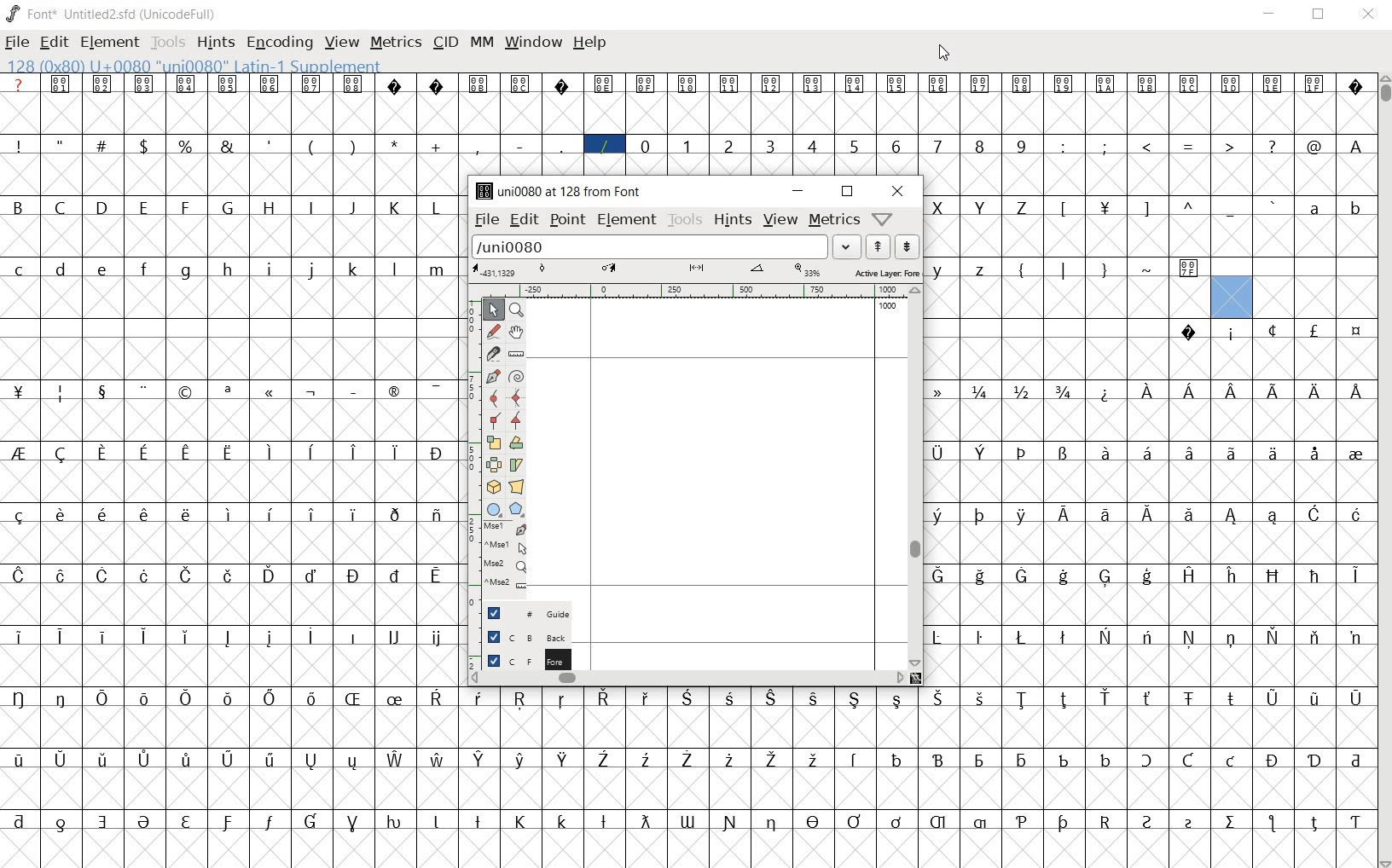 Image resolution: width=1392 pixels, height=868 pixels. What do you see at coordinates (1147, 84) in the screenshot?
I see `glyph` at bounding box center [1147, 84].